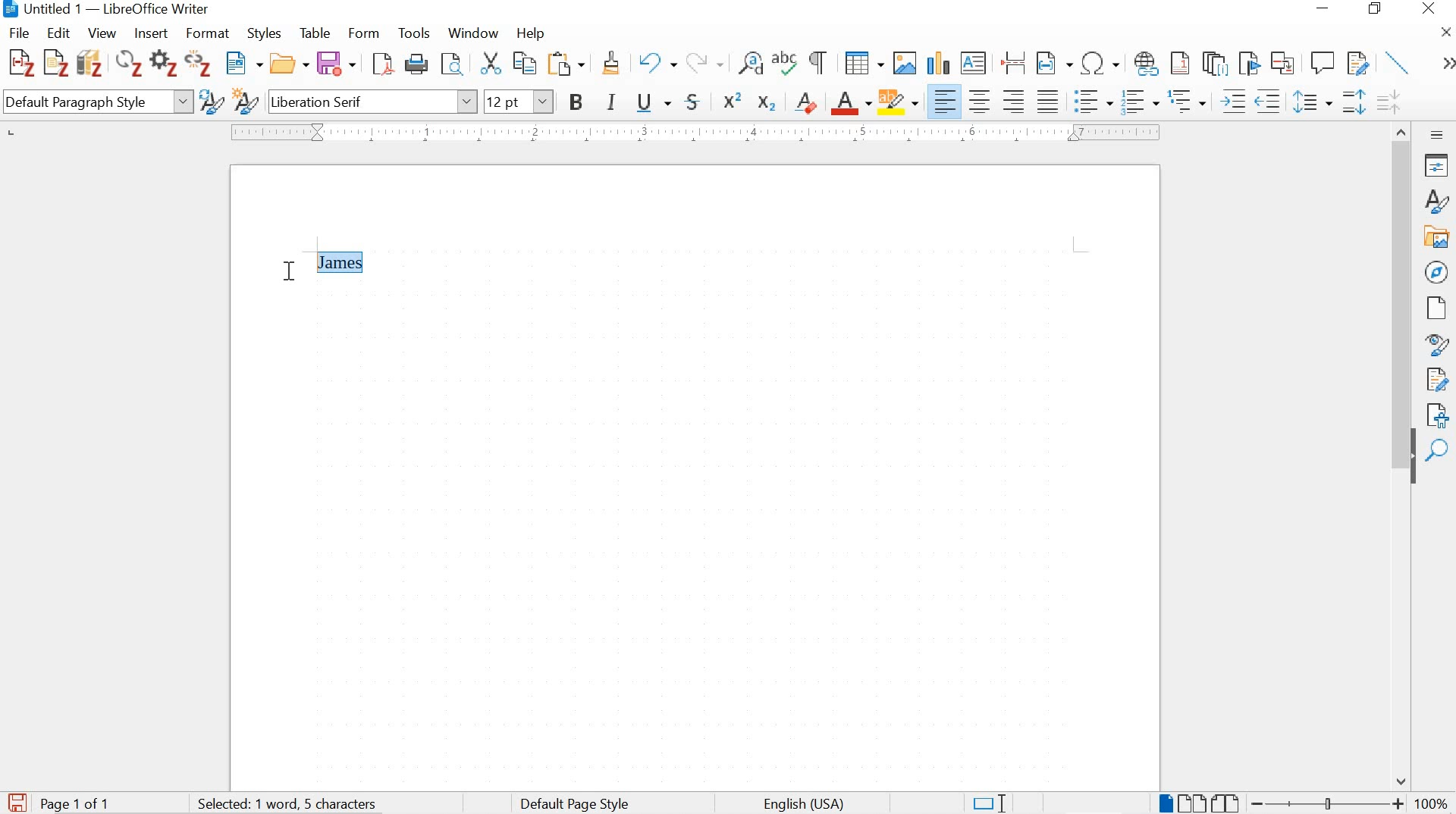  I want to click on insert bookmark, so click(1247, 63).